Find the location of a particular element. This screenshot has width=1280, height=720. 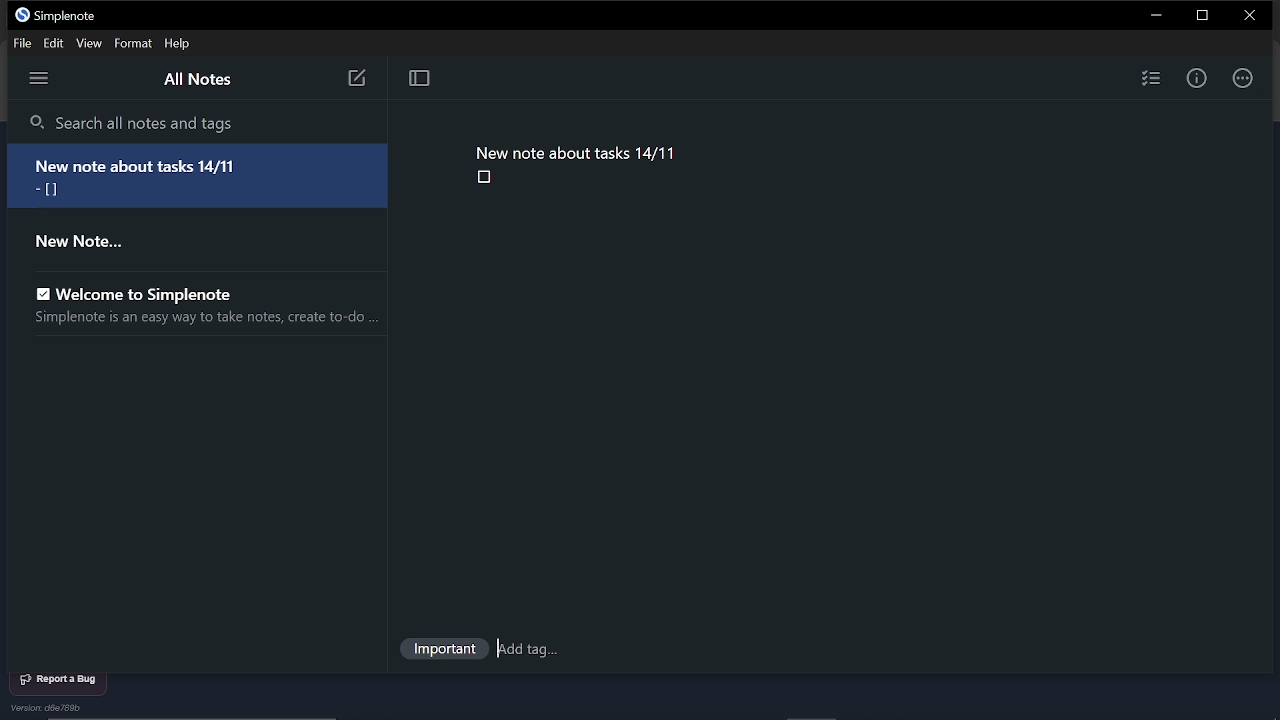

cursor is located at coordinates (502, 647).